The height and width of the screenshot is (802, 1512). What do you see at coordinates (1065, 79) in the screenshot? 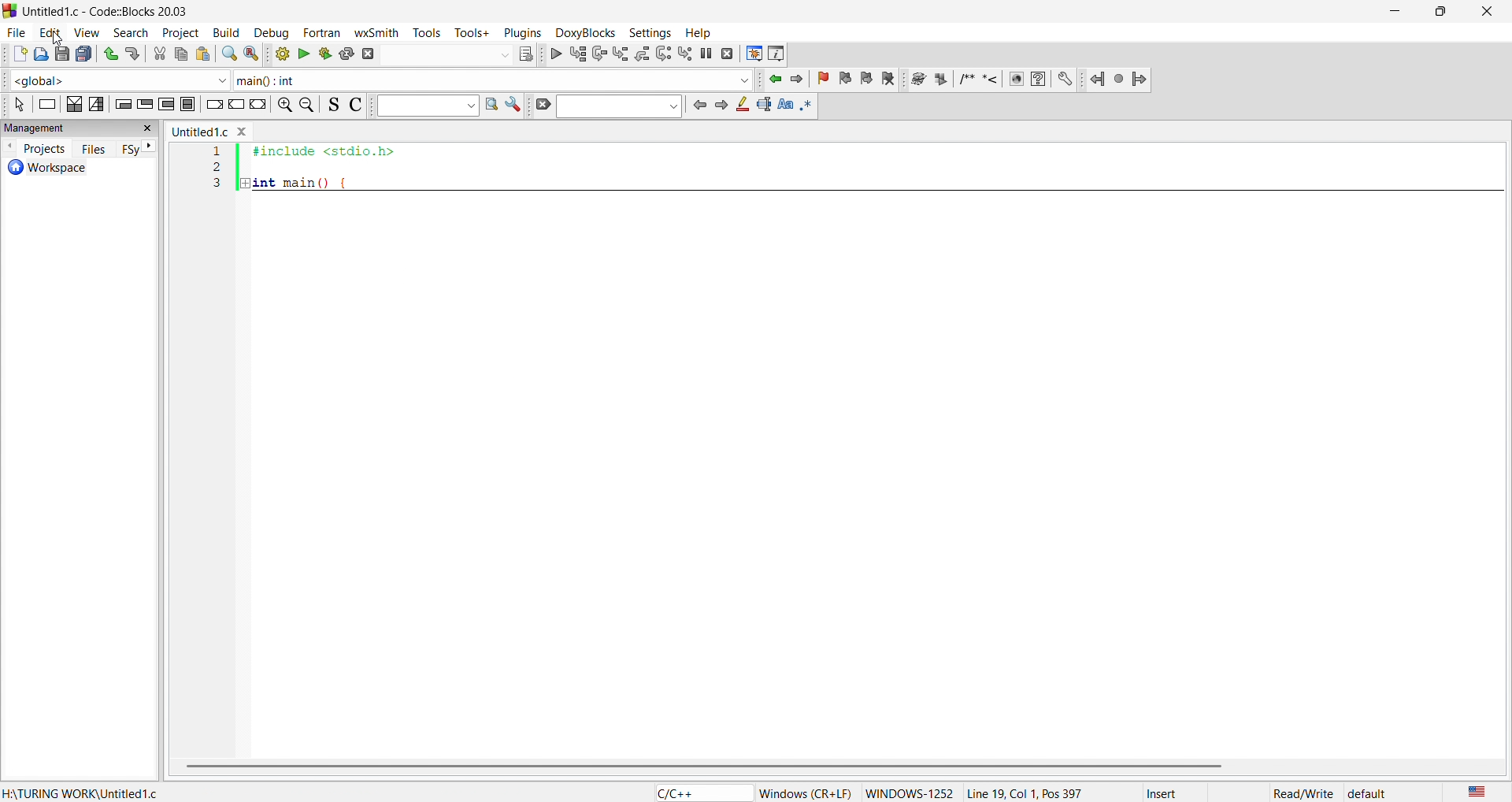
I see `settings` at bounding box center [1065, 79].